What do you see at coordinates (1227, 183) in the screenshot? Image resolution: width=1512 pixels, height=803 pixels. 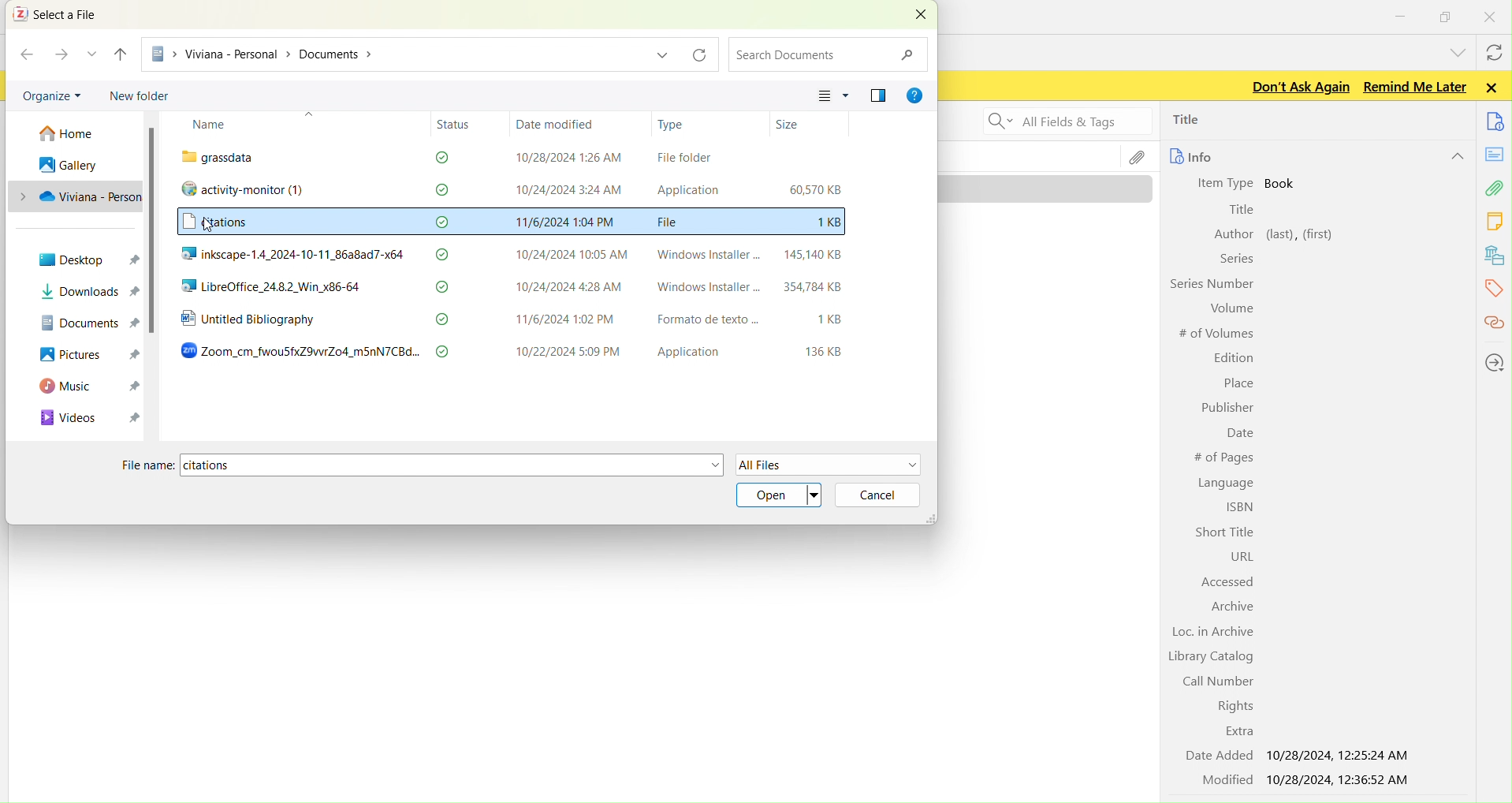 I see `Item Type` at bounding box center [1227, 183].